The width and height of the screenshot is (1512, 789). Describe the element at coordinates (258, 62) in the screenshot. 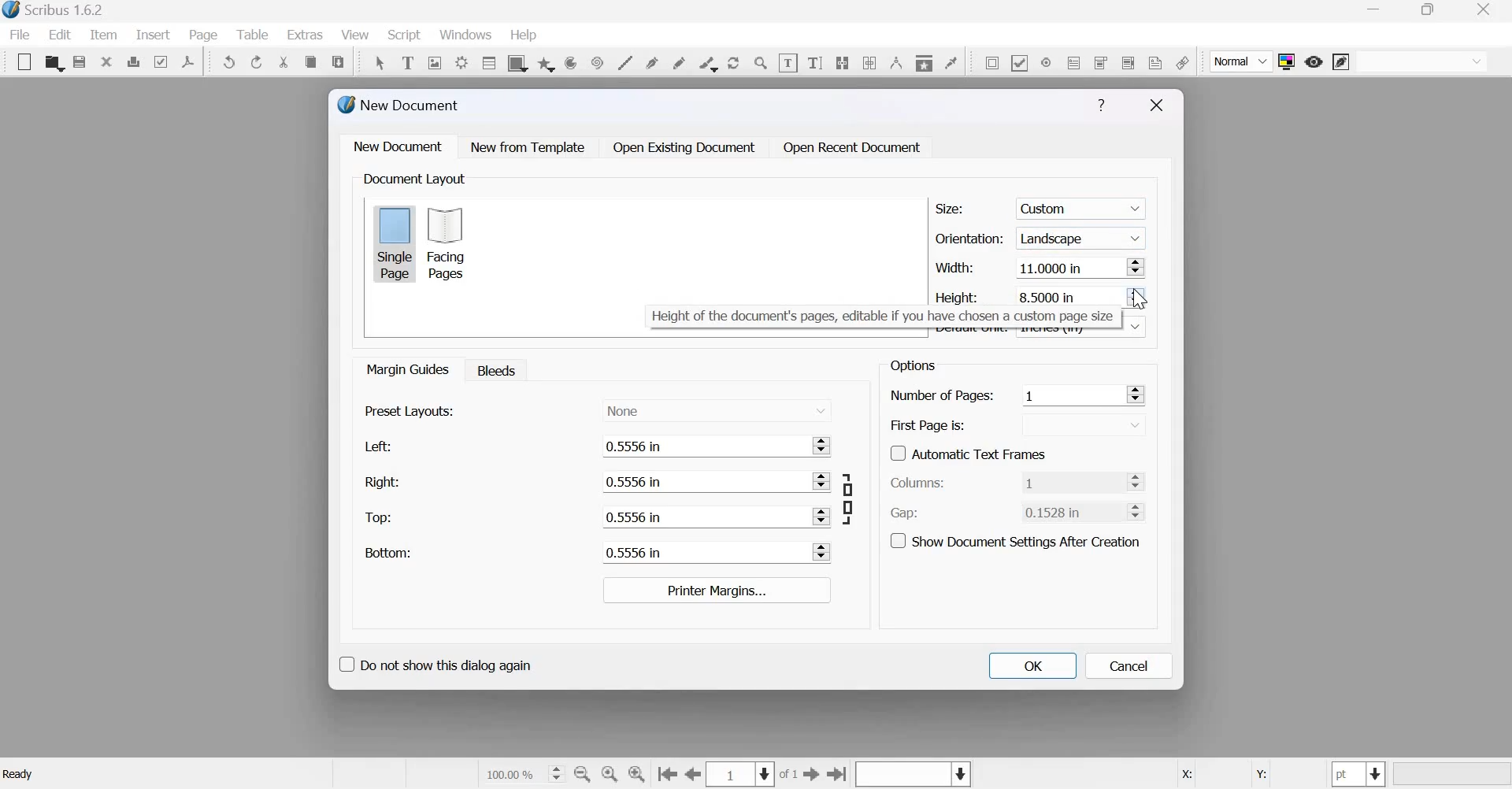

I see `Redo` at that location.